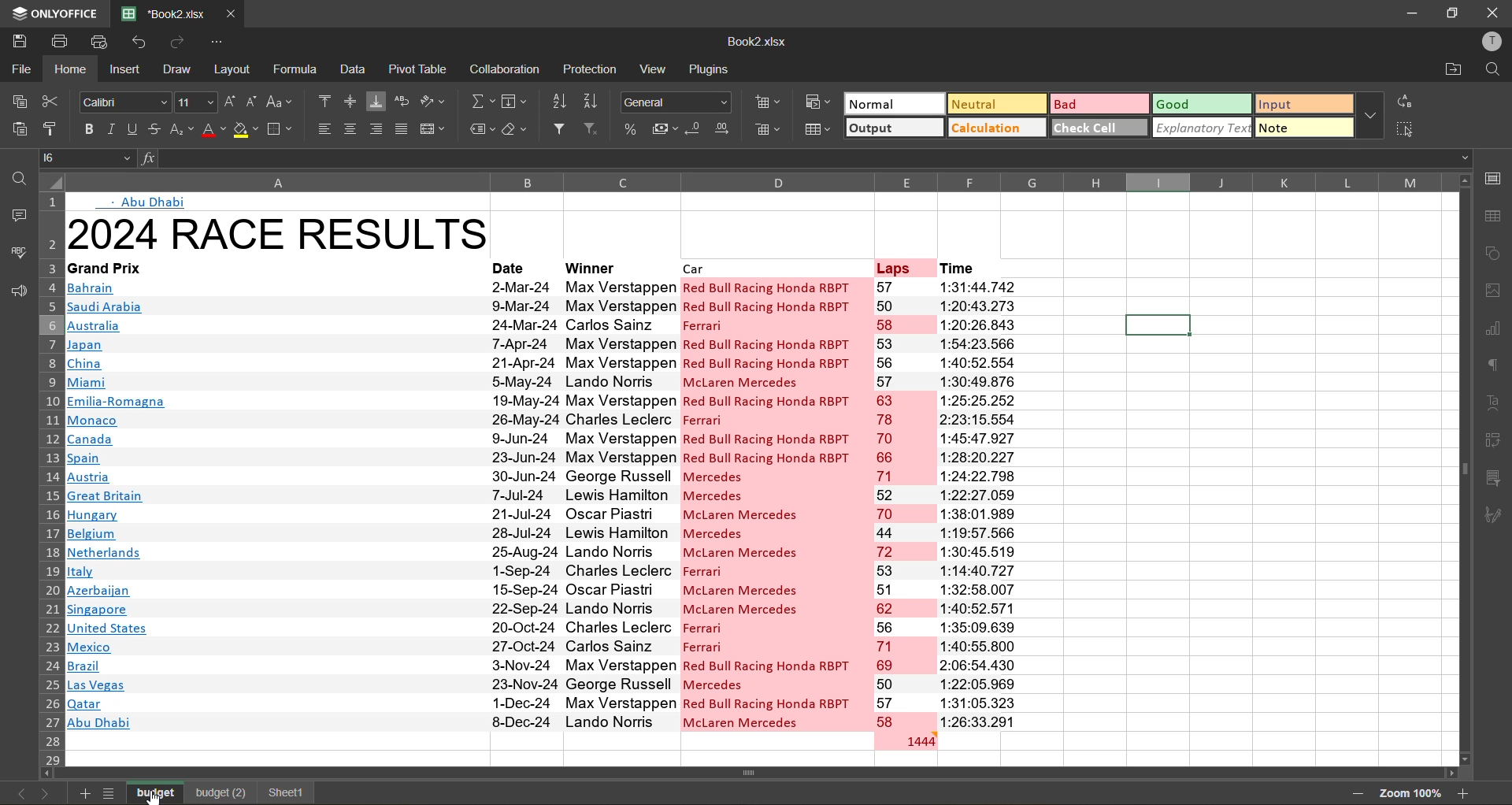 This screenshot has width=1512, height=805. I want to click on sort ascending, so click(563, 101).